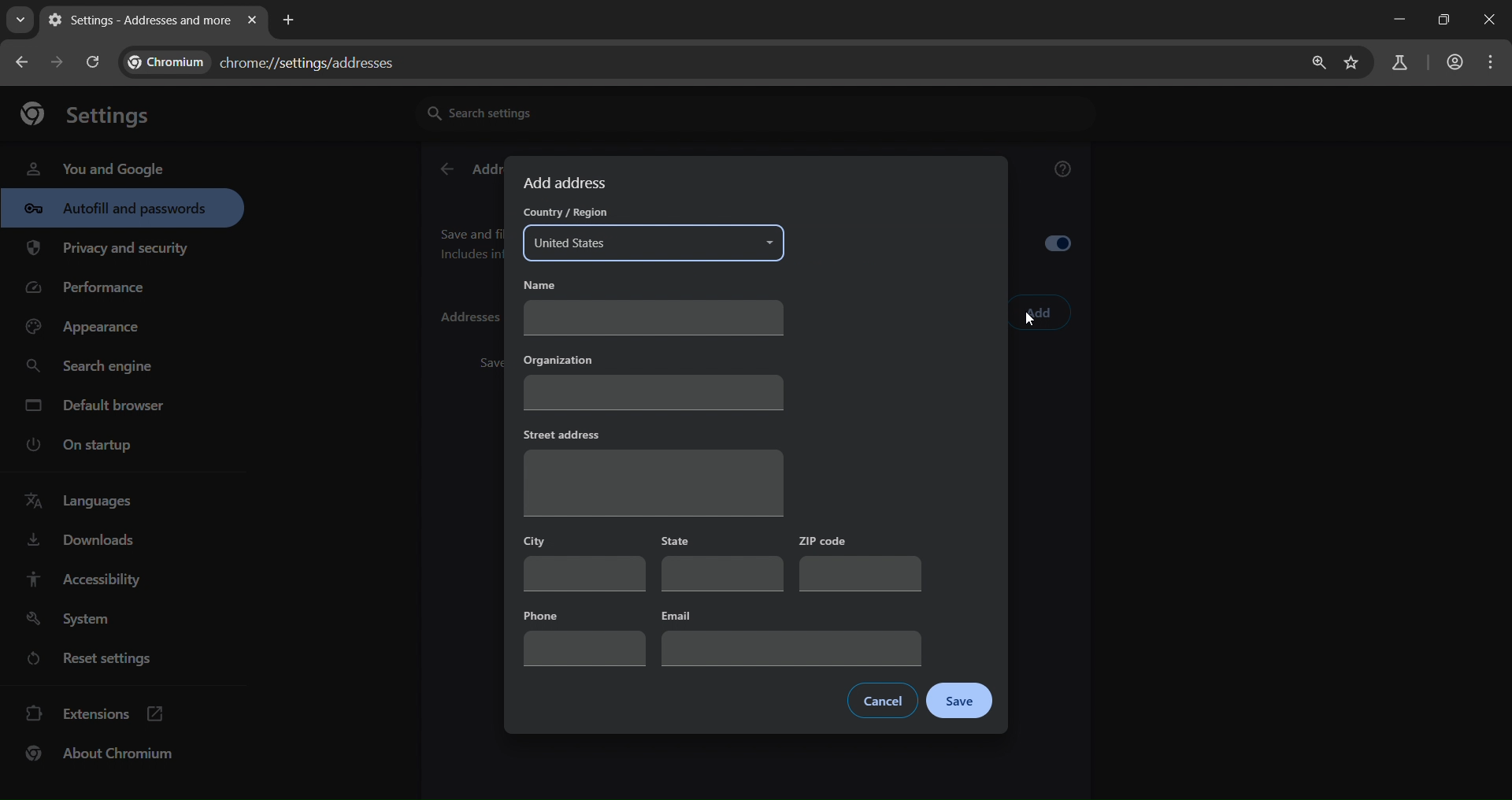 The image size is (1512, 800). I want to click on search panel, so click(1398, 64).